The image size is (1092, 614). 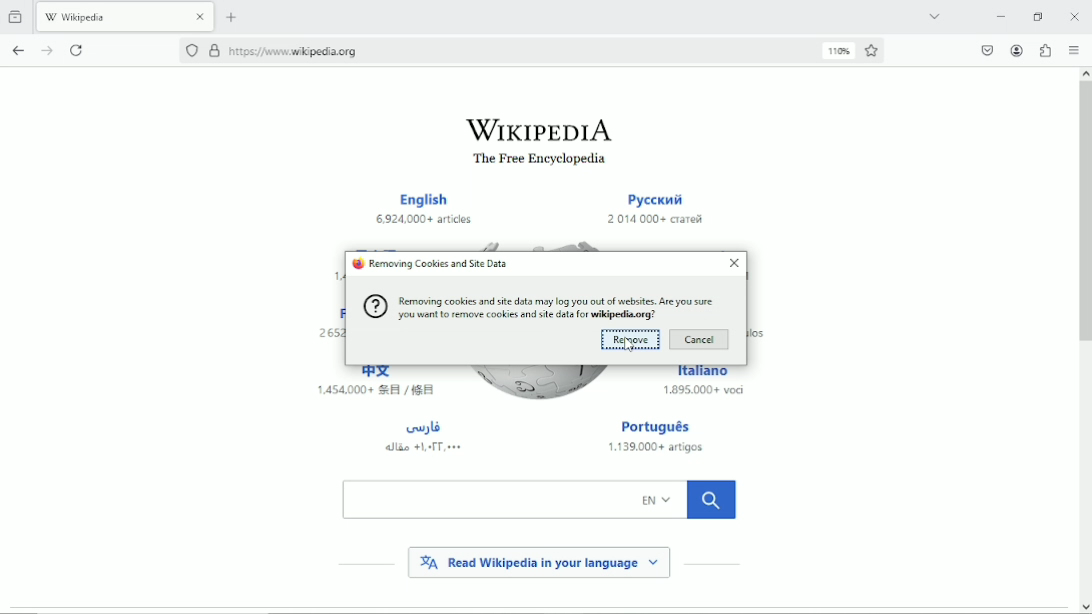 What do you see at coordinates (214, 53) in the screenshot?
I see `Verified by DigiCert Inc` at bounding box center [214, 53].